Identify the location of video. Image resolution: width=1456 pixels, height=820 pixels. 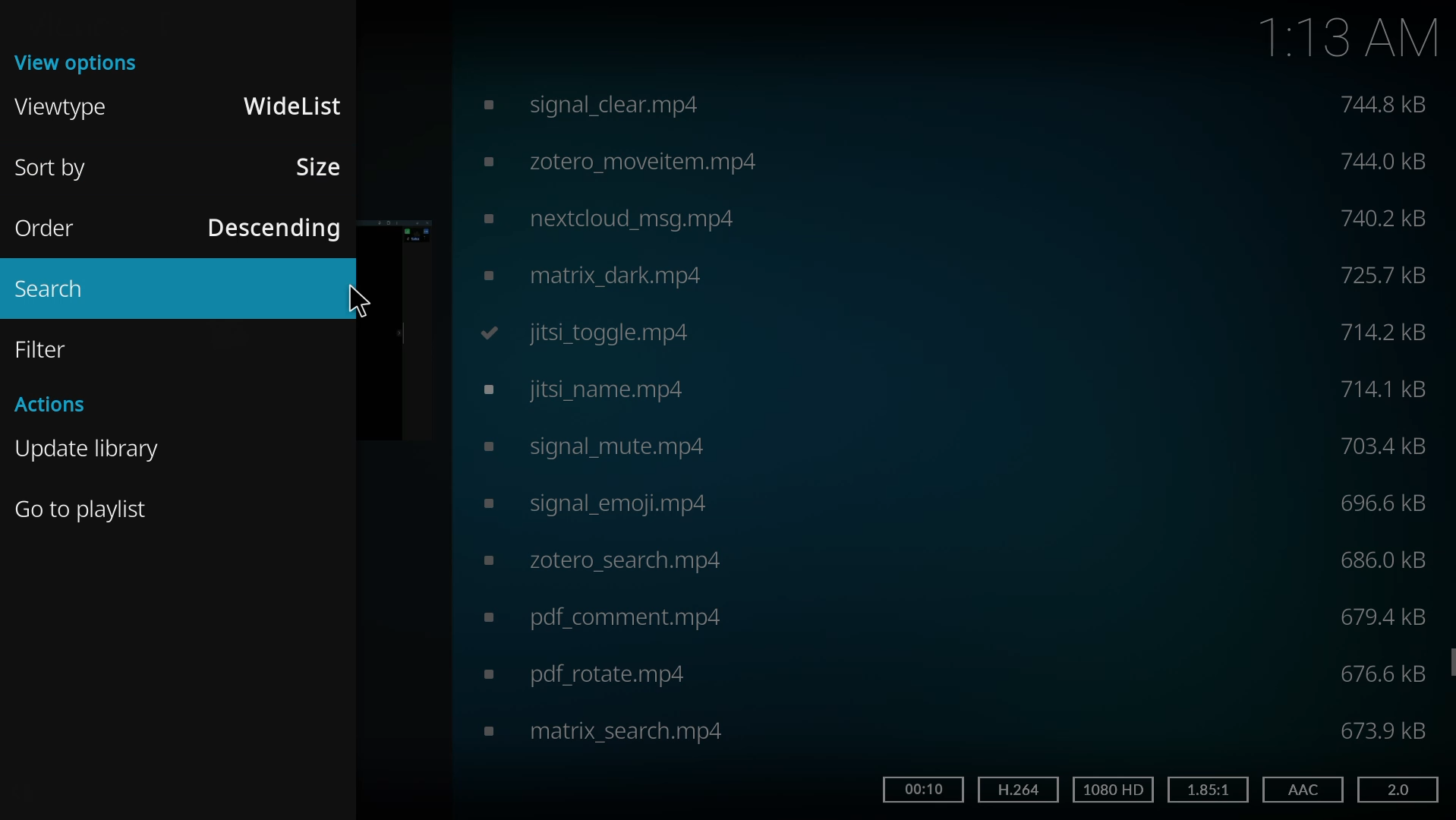
(586, 675).